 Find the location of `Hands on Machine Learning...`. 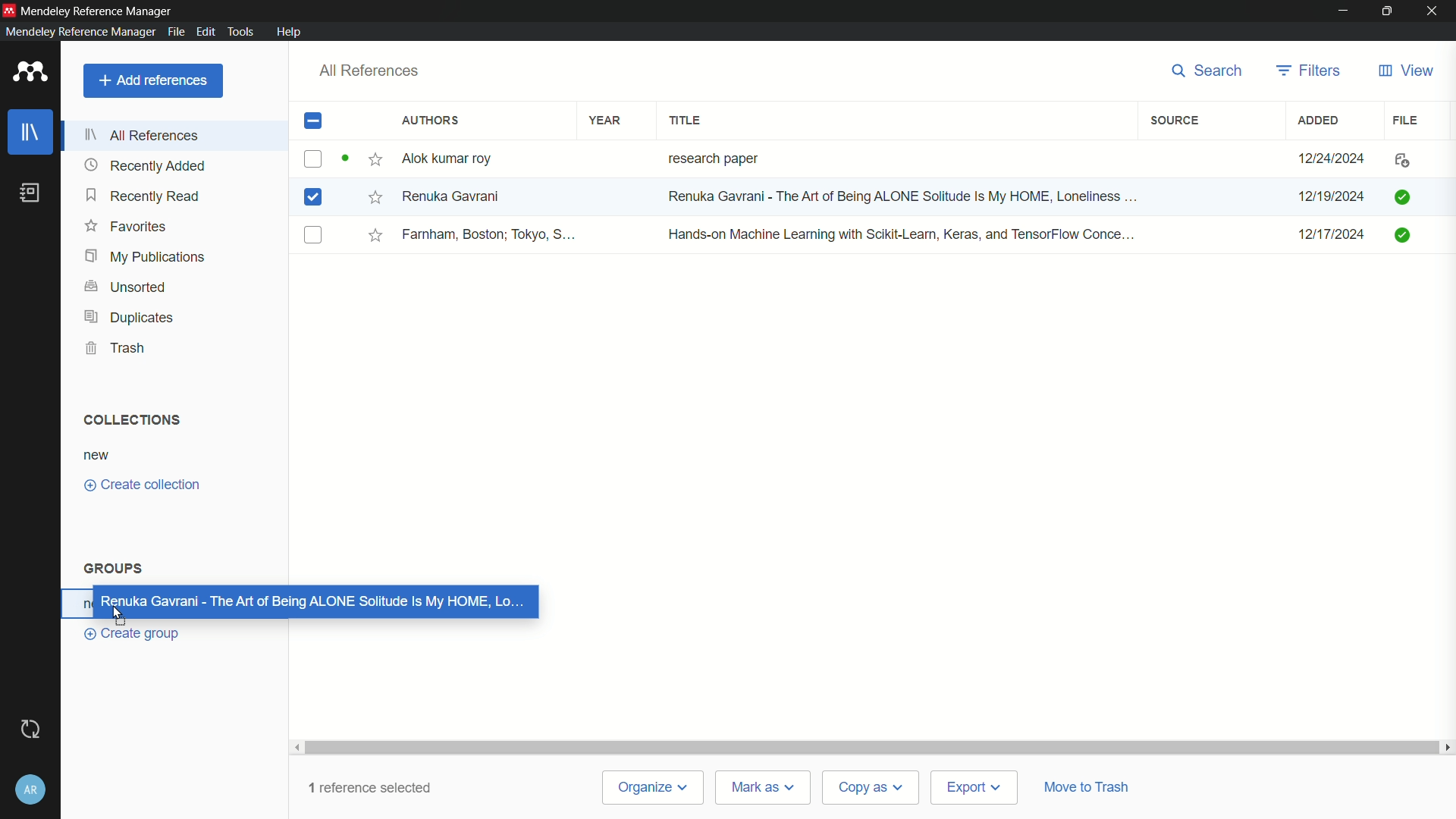

Hands on Machine Learning... is located at coordinates (898, 233).